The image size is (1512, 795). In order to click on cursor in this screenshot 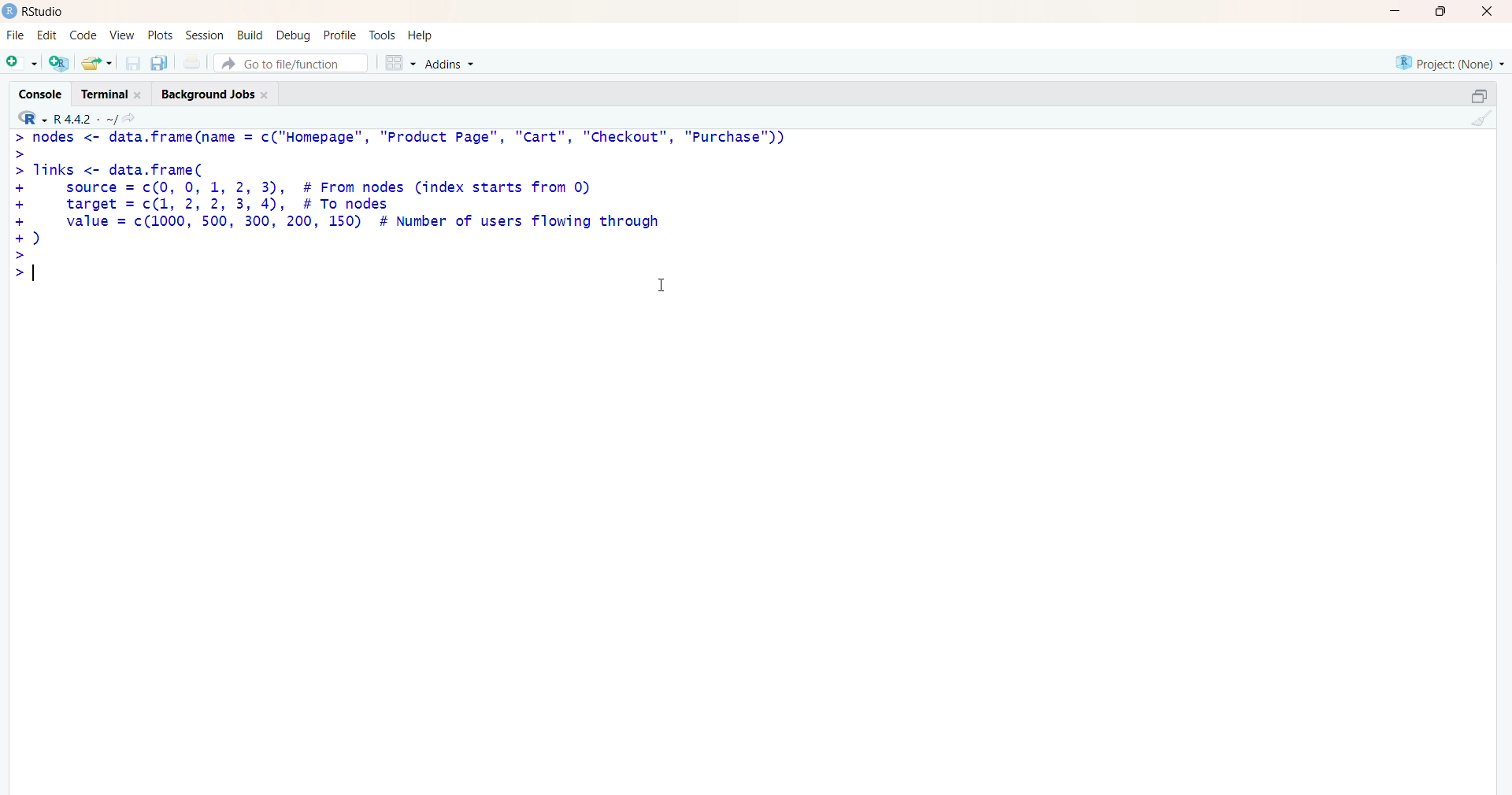, I will do `click(660, 286)`.